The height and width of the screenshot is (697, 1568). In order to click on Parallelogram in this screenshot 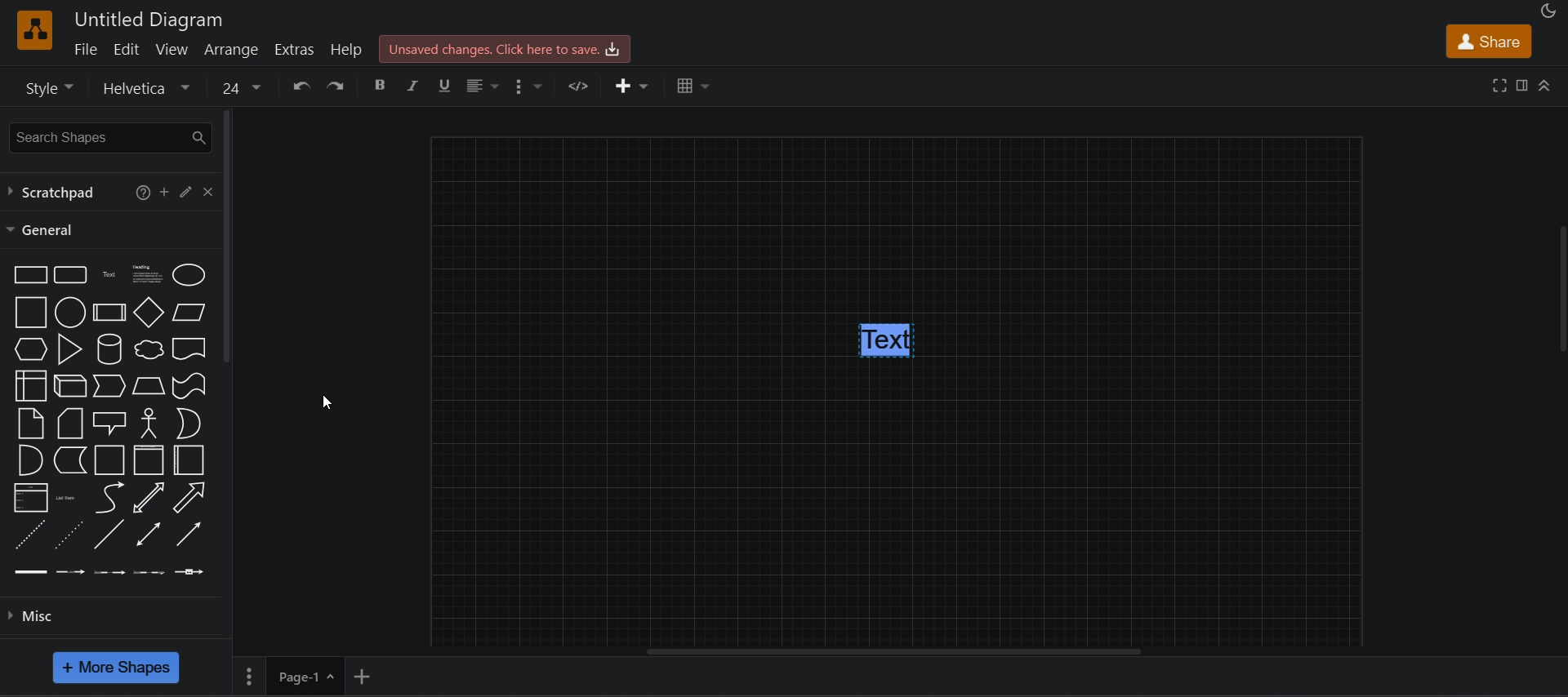, I will do `click(189, 313)`.